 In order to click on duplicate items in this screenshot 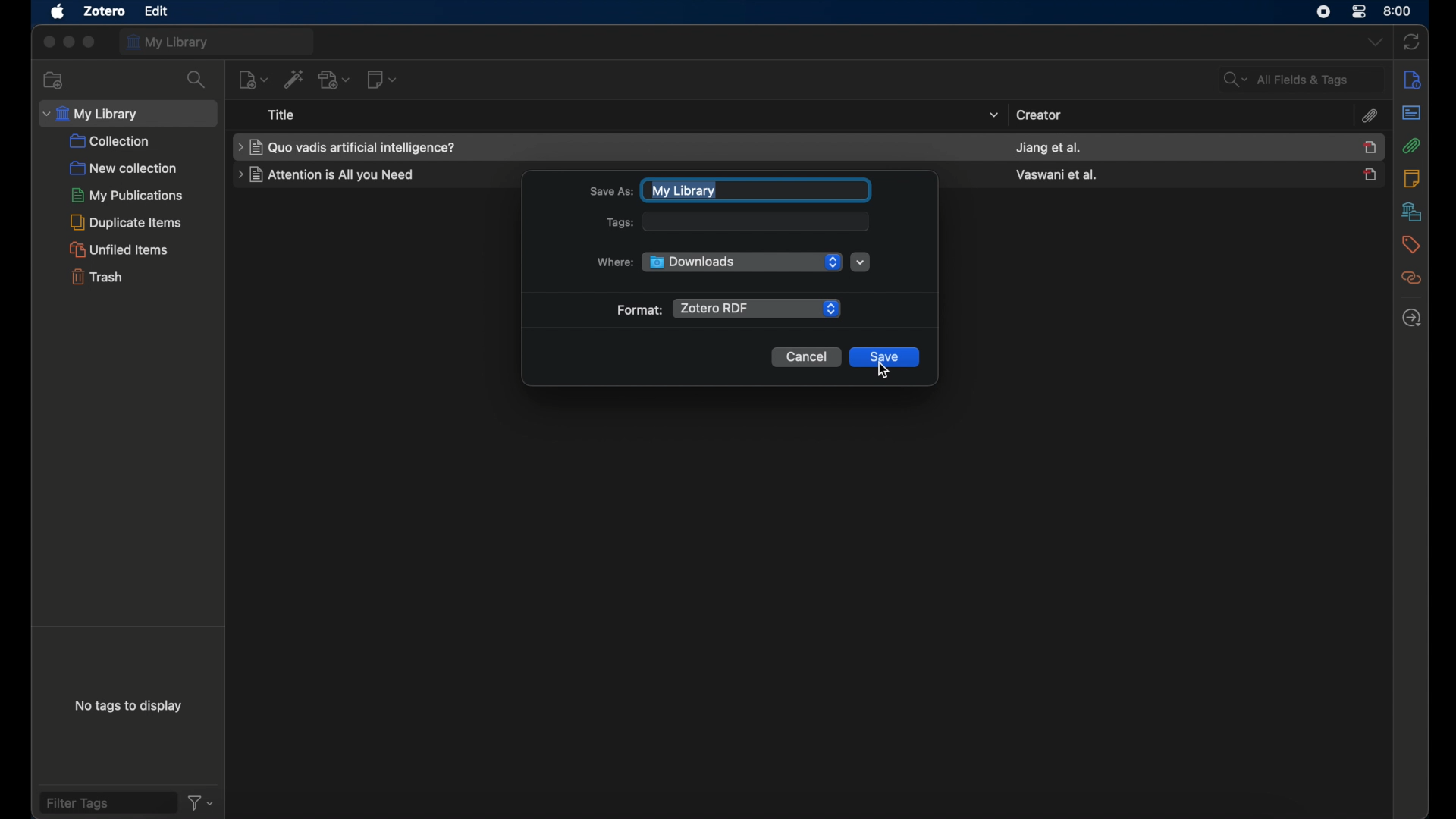, I will do `click(127, 222)`.